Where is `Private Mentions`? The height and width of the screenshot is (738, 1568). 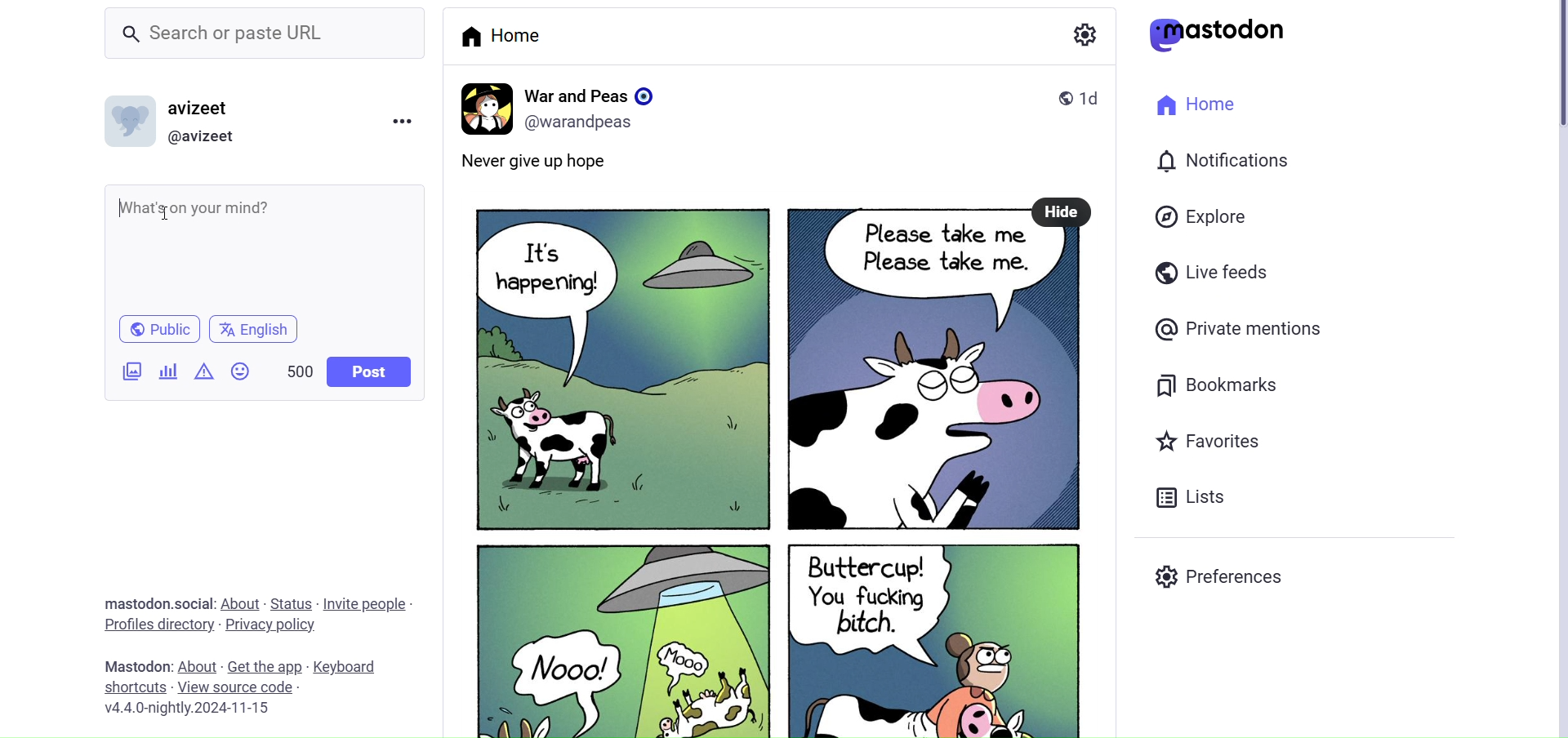
Private Mentions is located at coordinates (1240, 328).